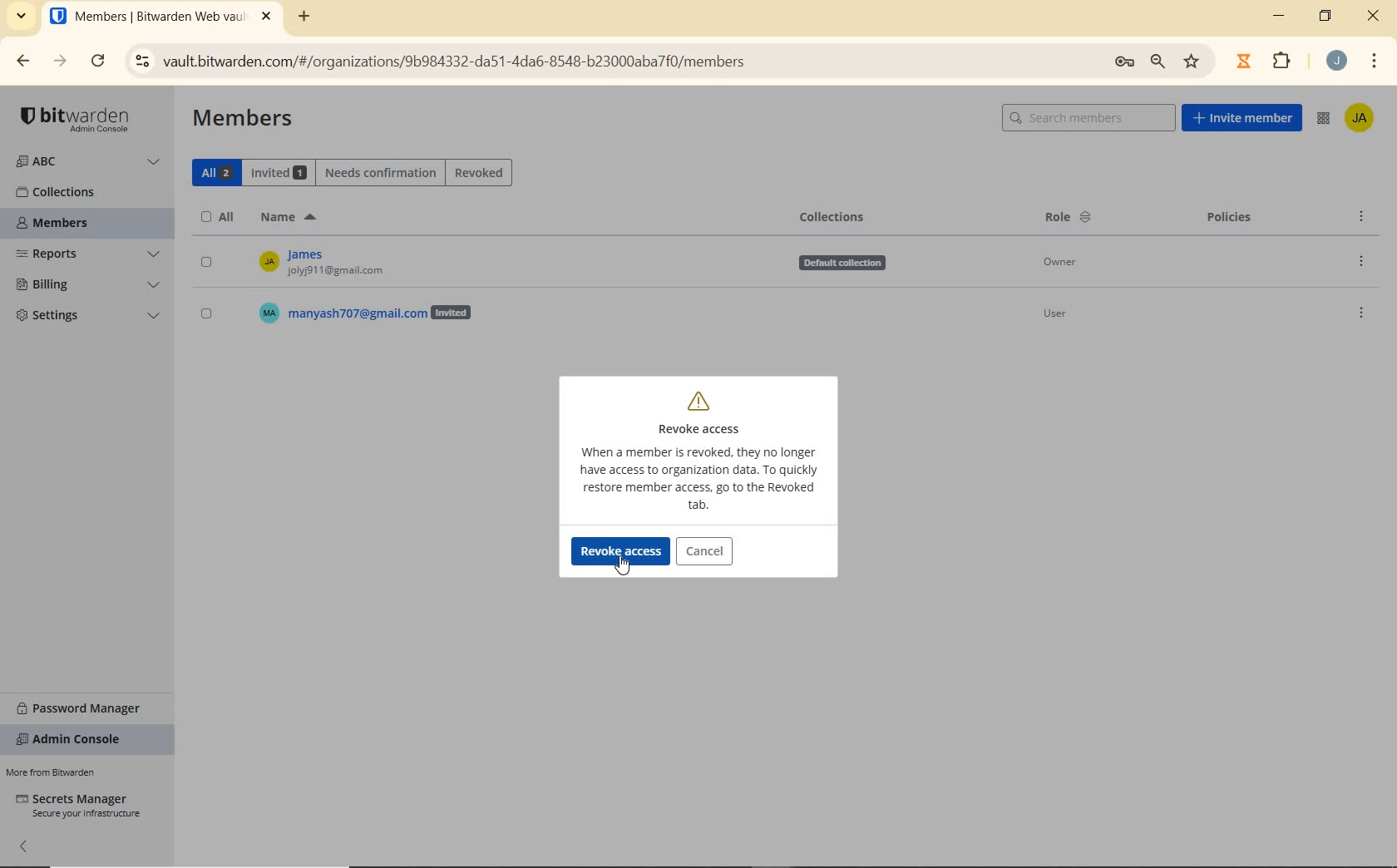 This screenshot has height=868, width=1397. I want to click on LOGO, so click(79, 118).